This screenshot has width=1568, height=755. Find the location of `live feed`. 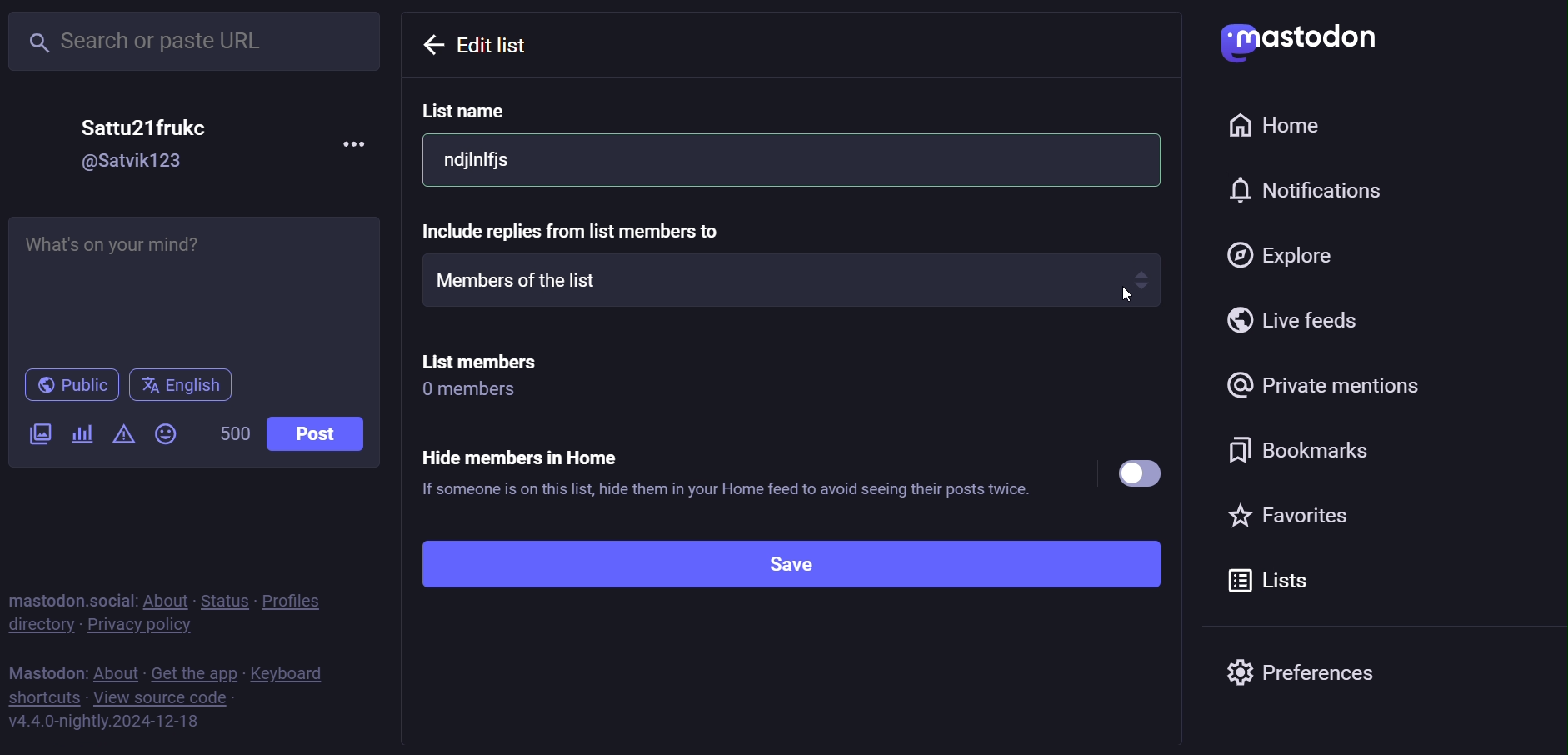

live feed is located at coordinates (1291, 320).